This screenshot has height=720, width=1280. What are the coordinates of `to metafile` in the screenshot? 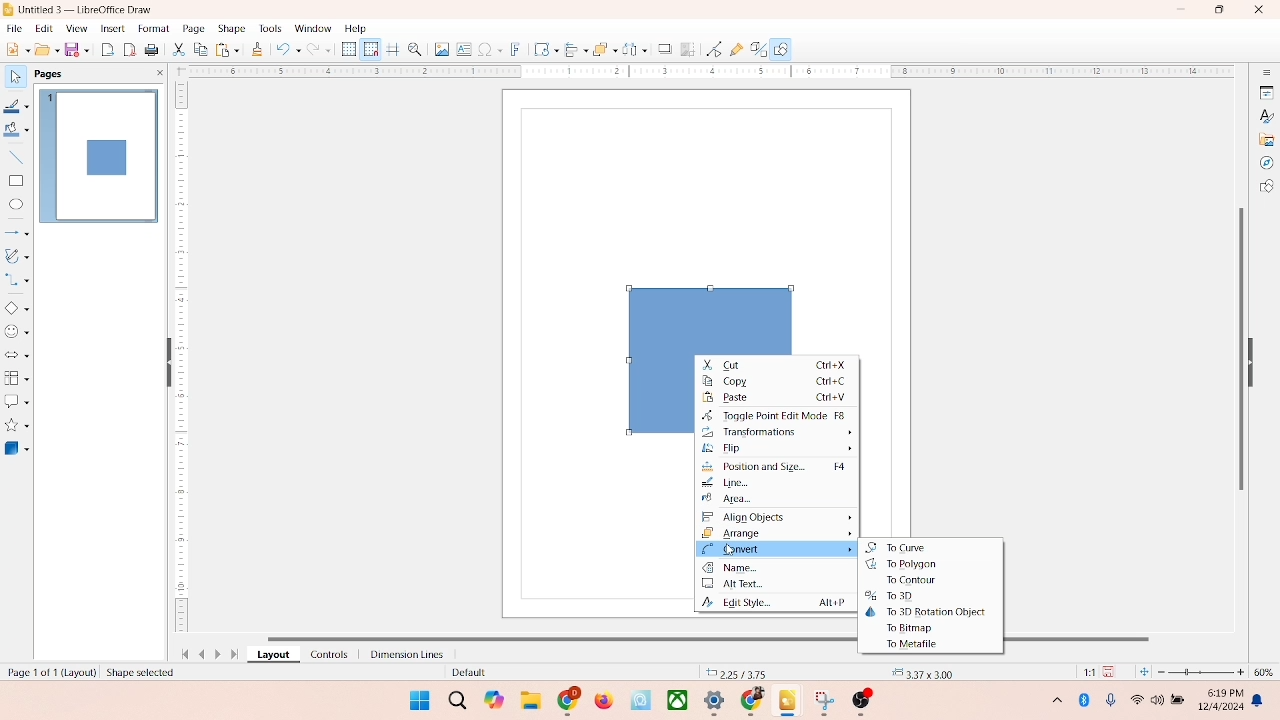 It's located at (915, 645).